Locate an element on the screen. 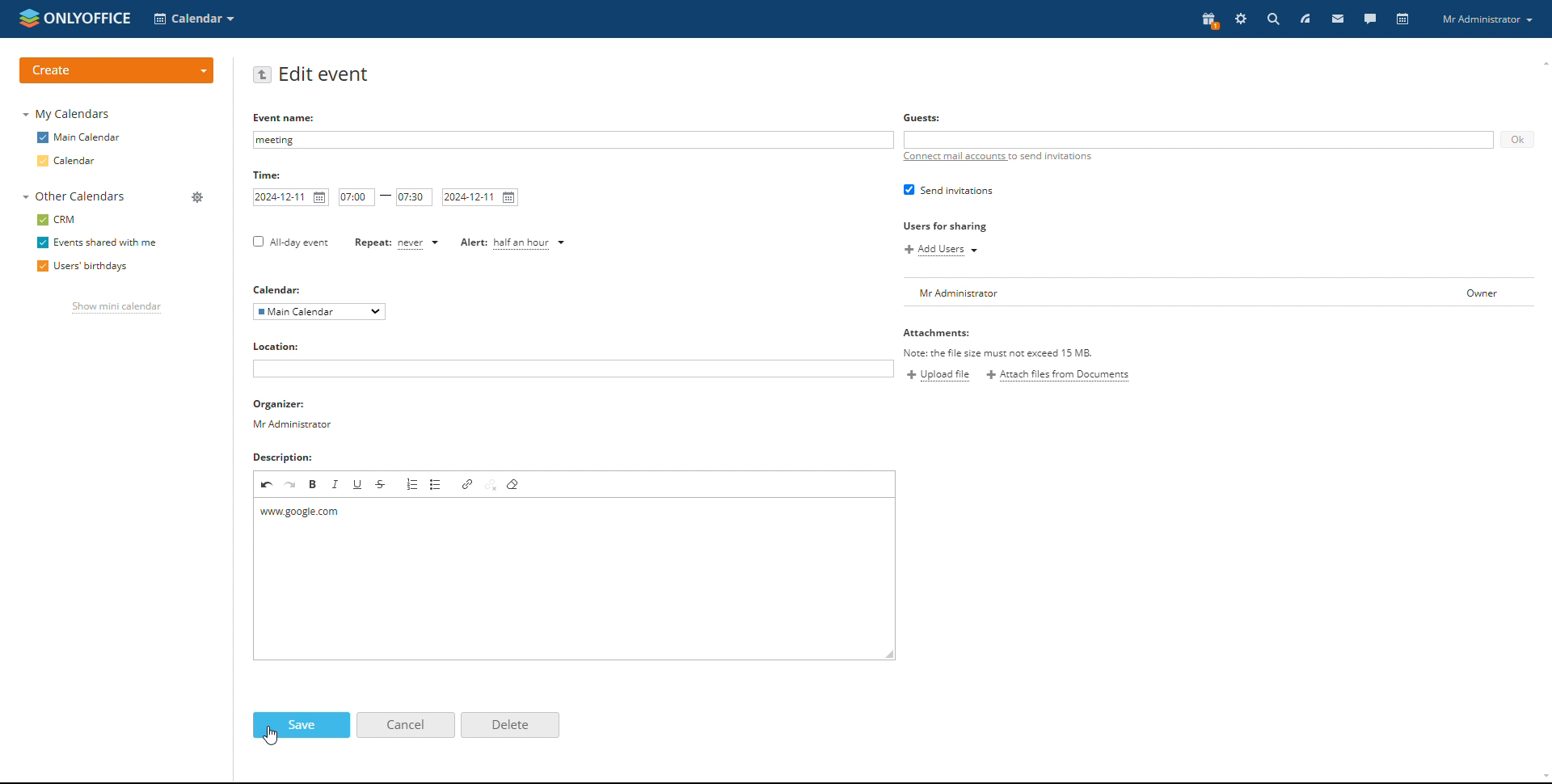  manage is located at coordinates (197, 199).